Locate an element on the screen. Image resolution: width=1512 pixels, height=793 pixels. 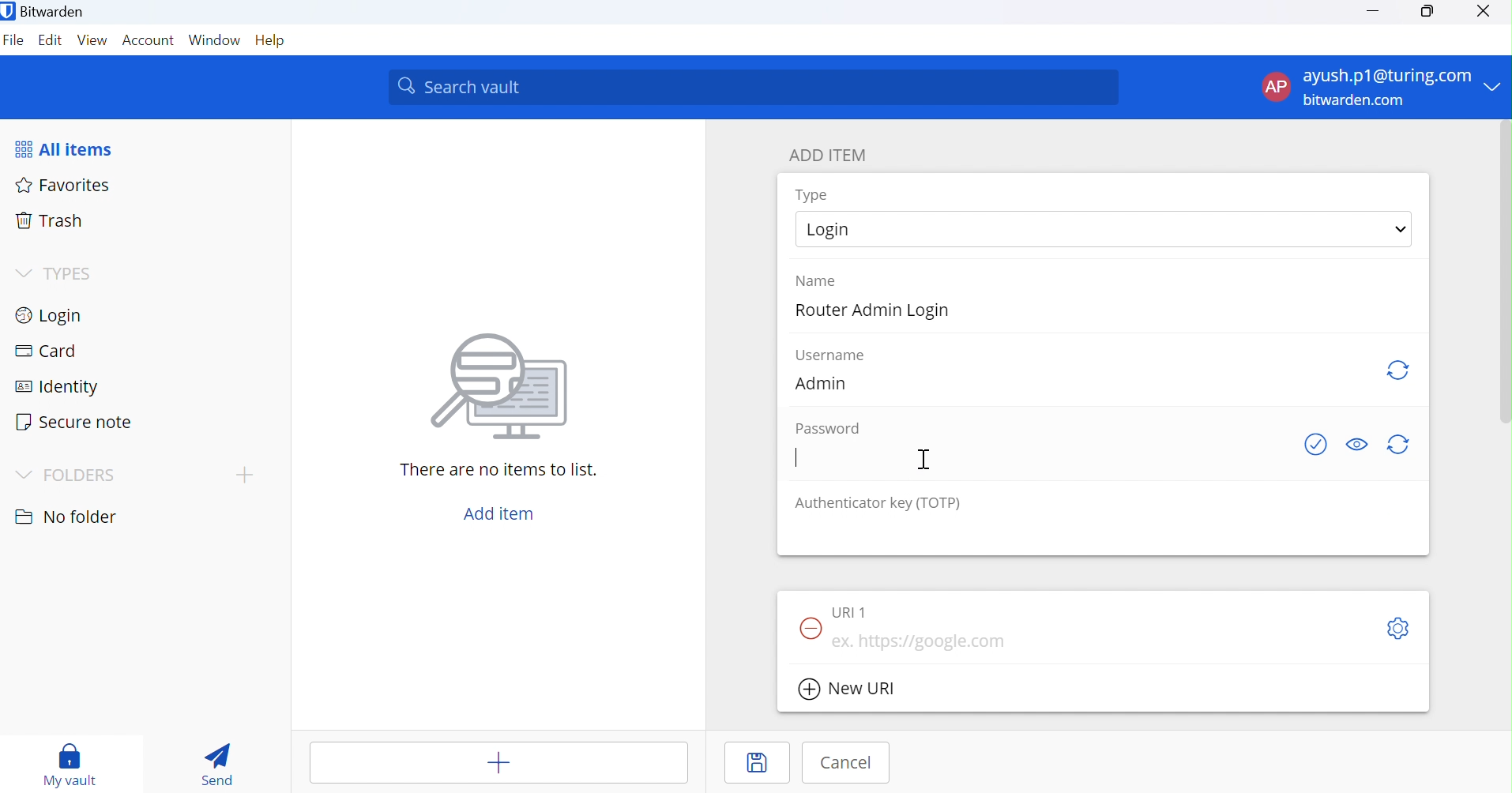
Authenticator key (TOTP) is located at coordinates (878, 502).